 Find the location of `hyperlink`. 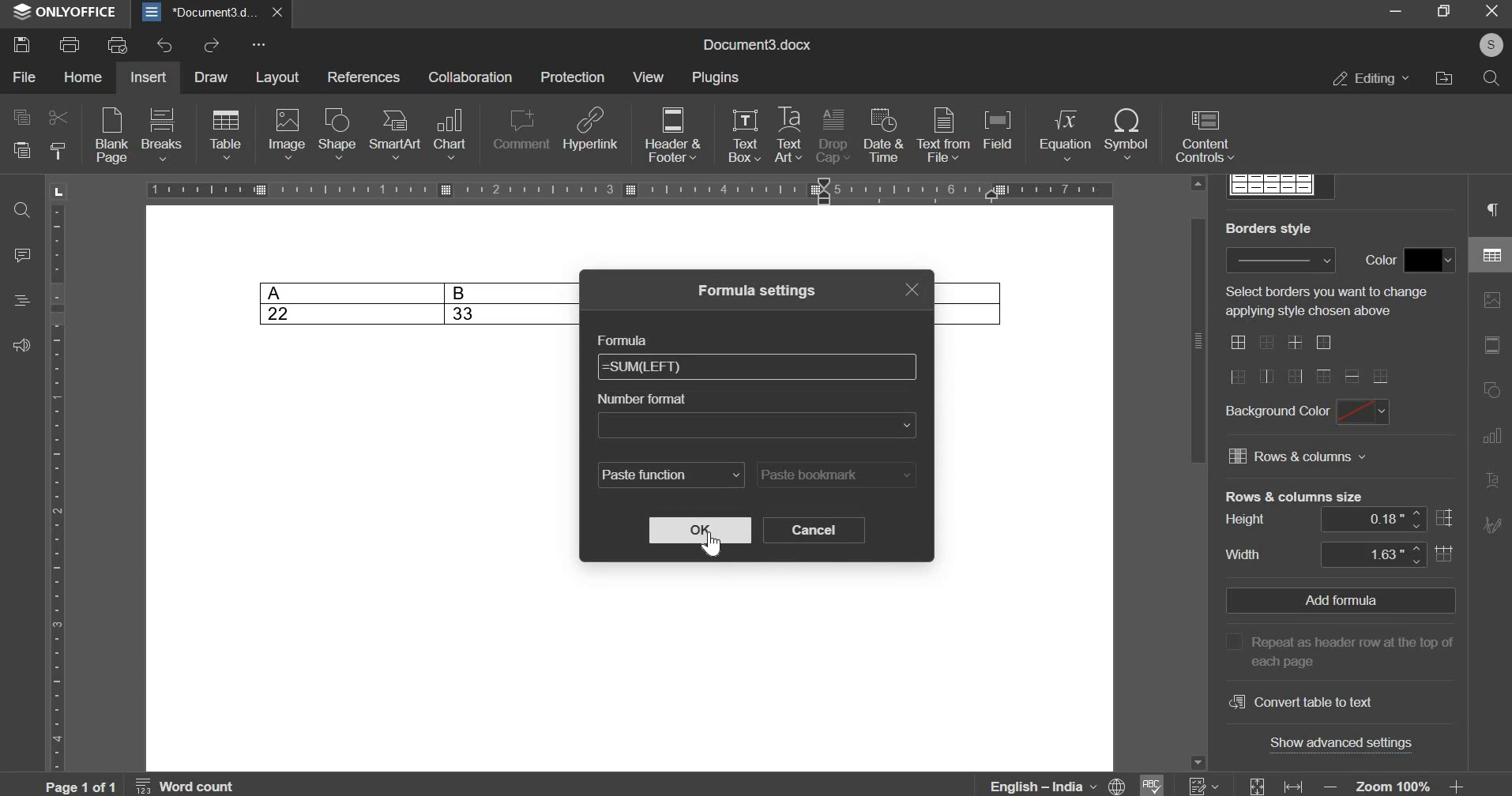

hyperlink is located at coordinates (590, 128).